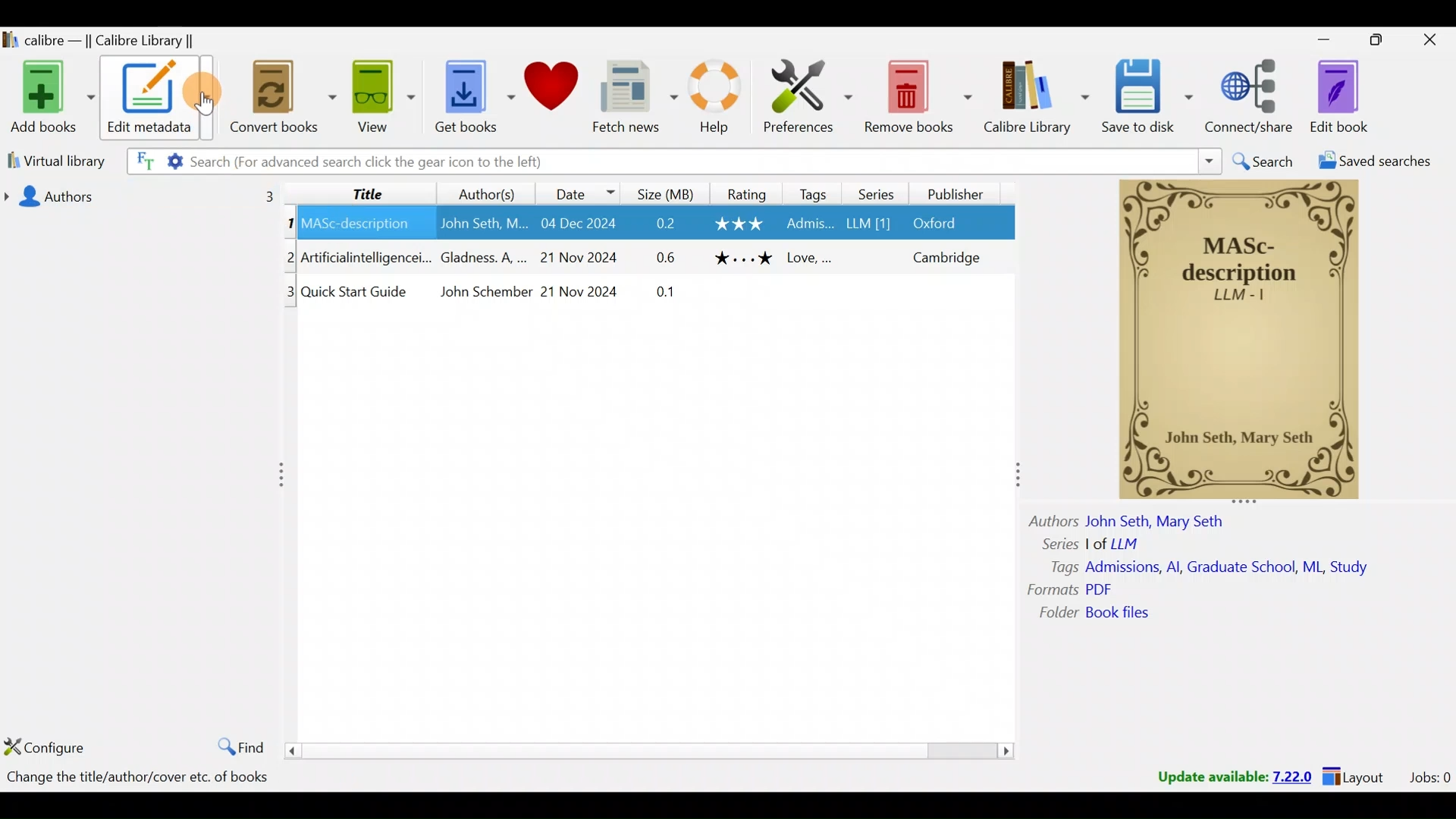 Image resolution: width=1456 pixels, height=819 pixels. Describe the element at coordinates (920, 96) in the screenshot. I see `Remove books` at that location.